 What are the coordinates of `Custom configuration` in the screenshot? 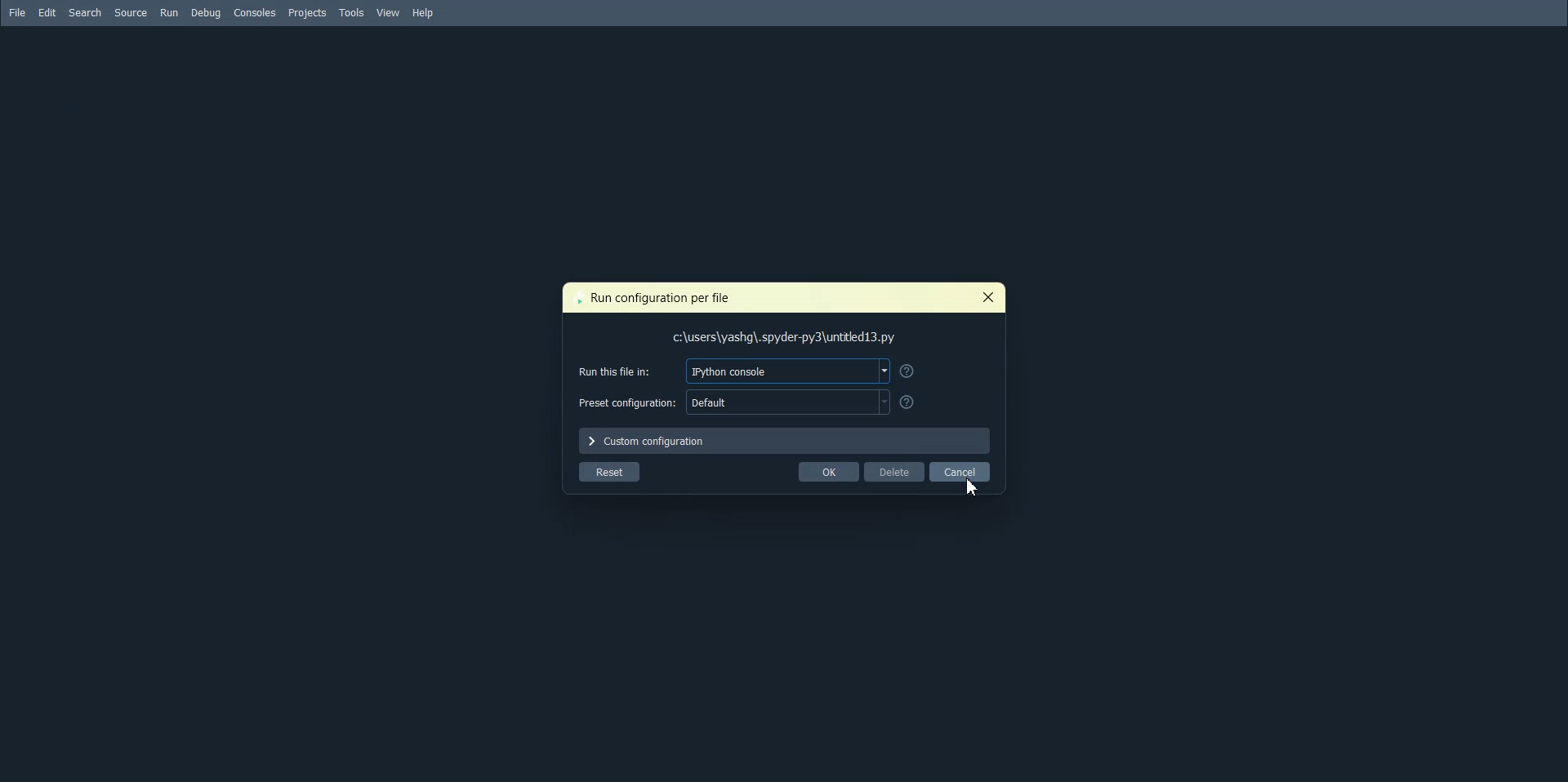 It's located at (783, 441).